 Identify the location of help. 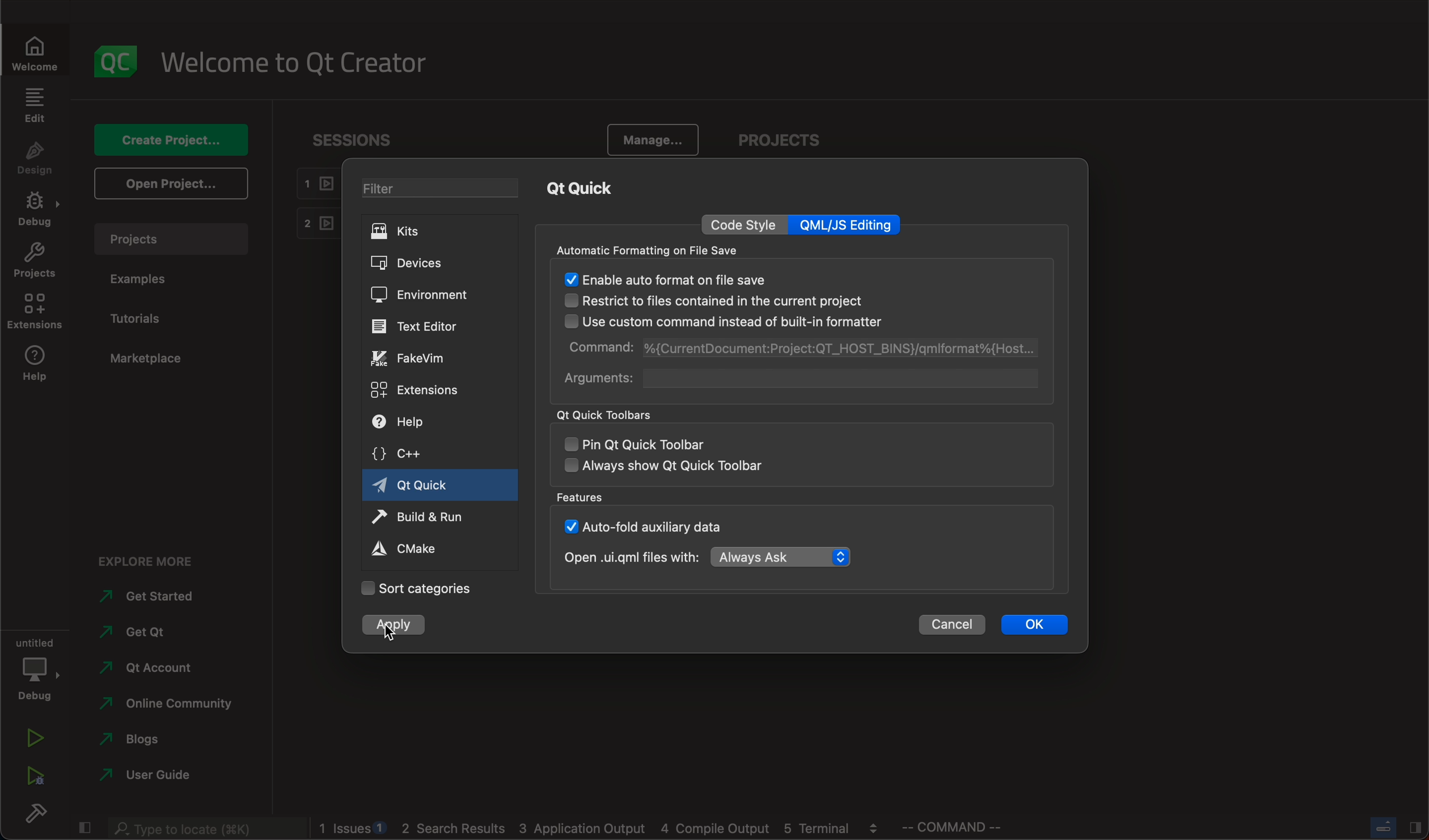
(35, 366).